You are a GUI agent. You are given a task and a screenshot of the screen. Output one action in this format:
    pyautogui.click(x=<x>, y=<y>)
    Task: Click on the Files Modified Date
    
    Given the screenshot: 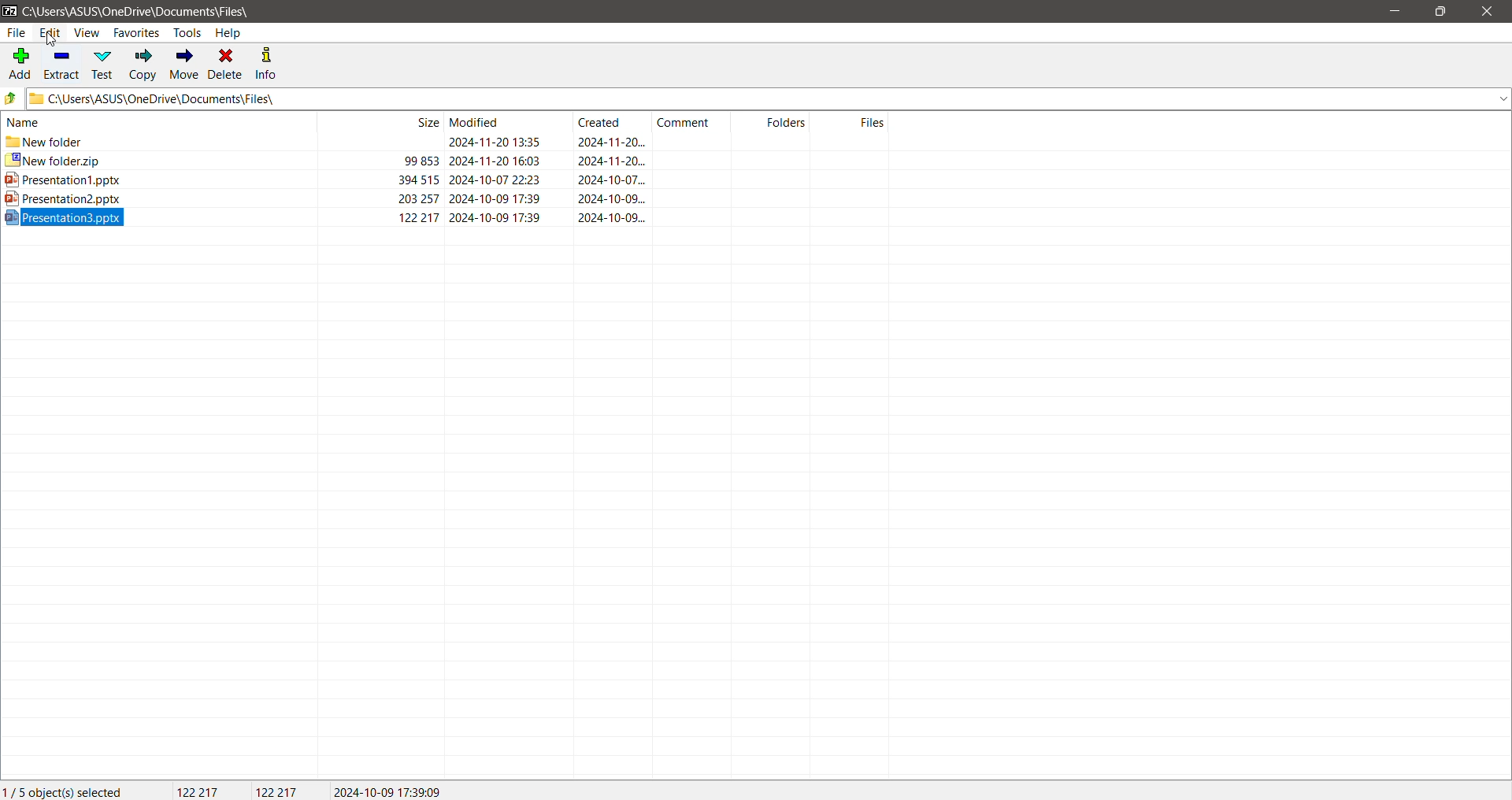 What is the action you would take?
    pyautogui.click(x=502, y=122)
    